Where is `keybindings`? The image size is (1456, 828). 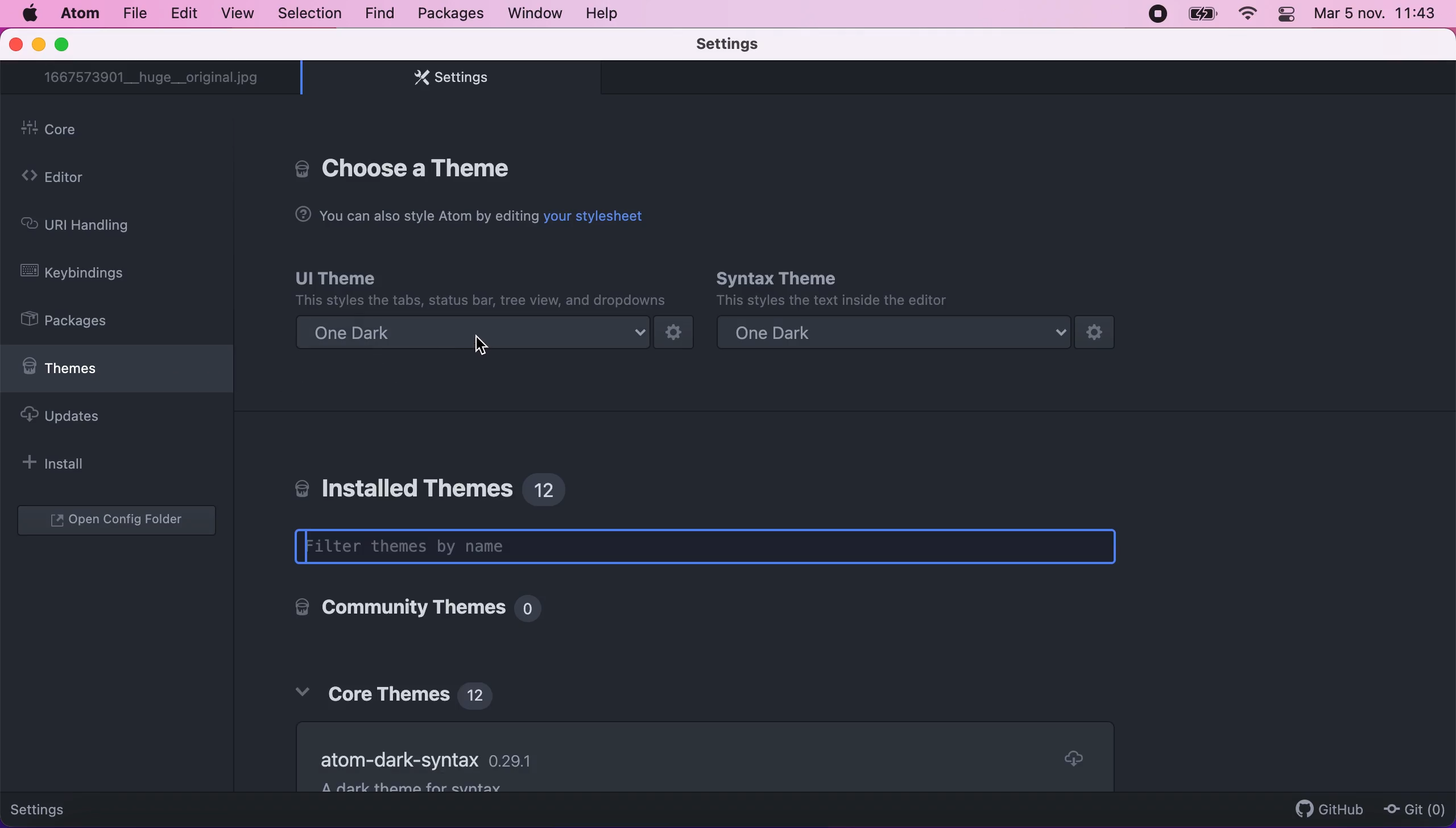 keybindings is located at coordinates (88, 273).